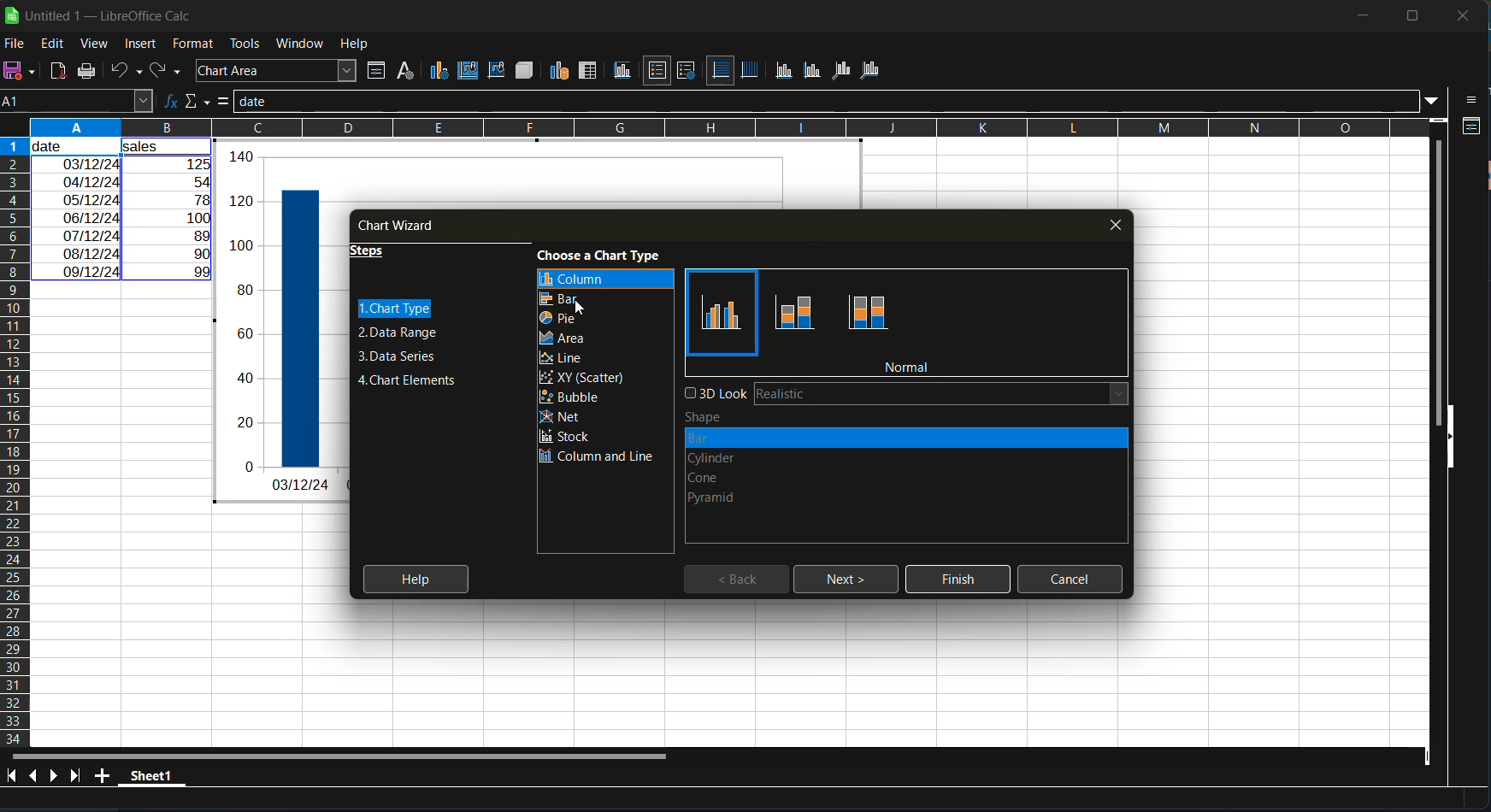 The height and width of the screenshot is (812, 1491). I want to click on cancel, so click(1074, 578).